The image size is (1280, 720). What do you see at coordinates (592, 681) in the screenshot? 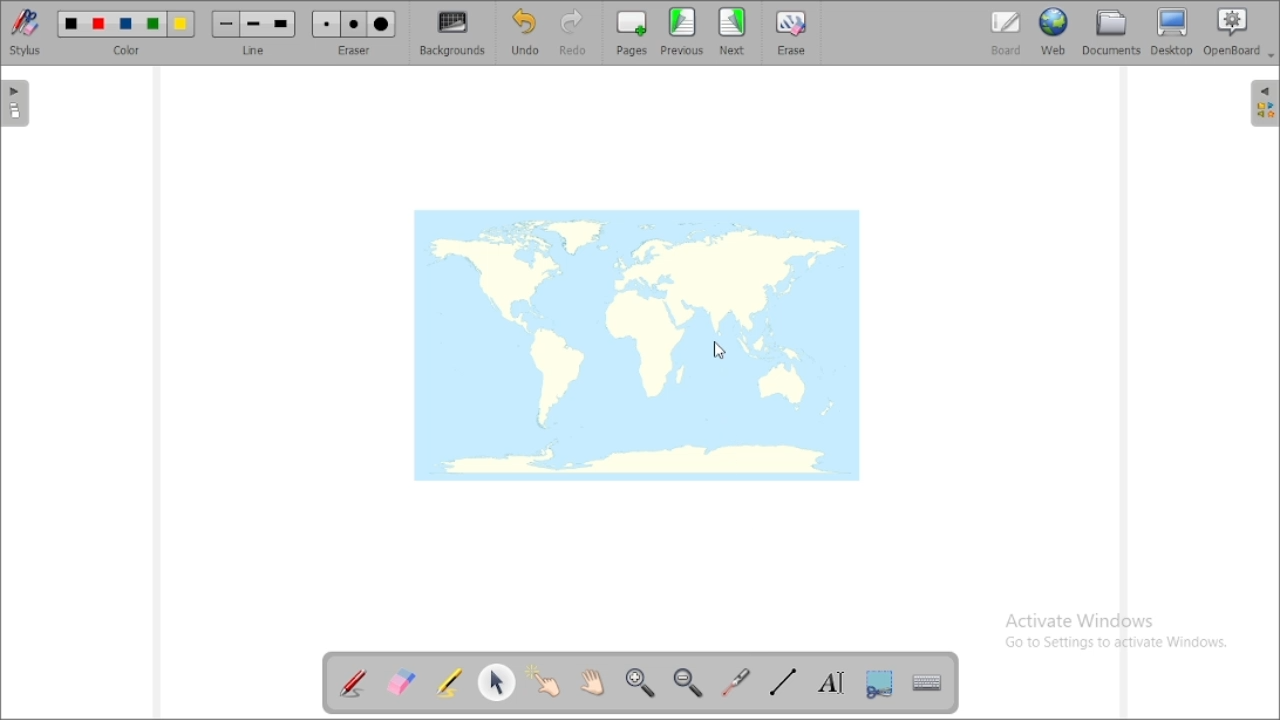
I see `scroll page` at bounding box center [592, 681].